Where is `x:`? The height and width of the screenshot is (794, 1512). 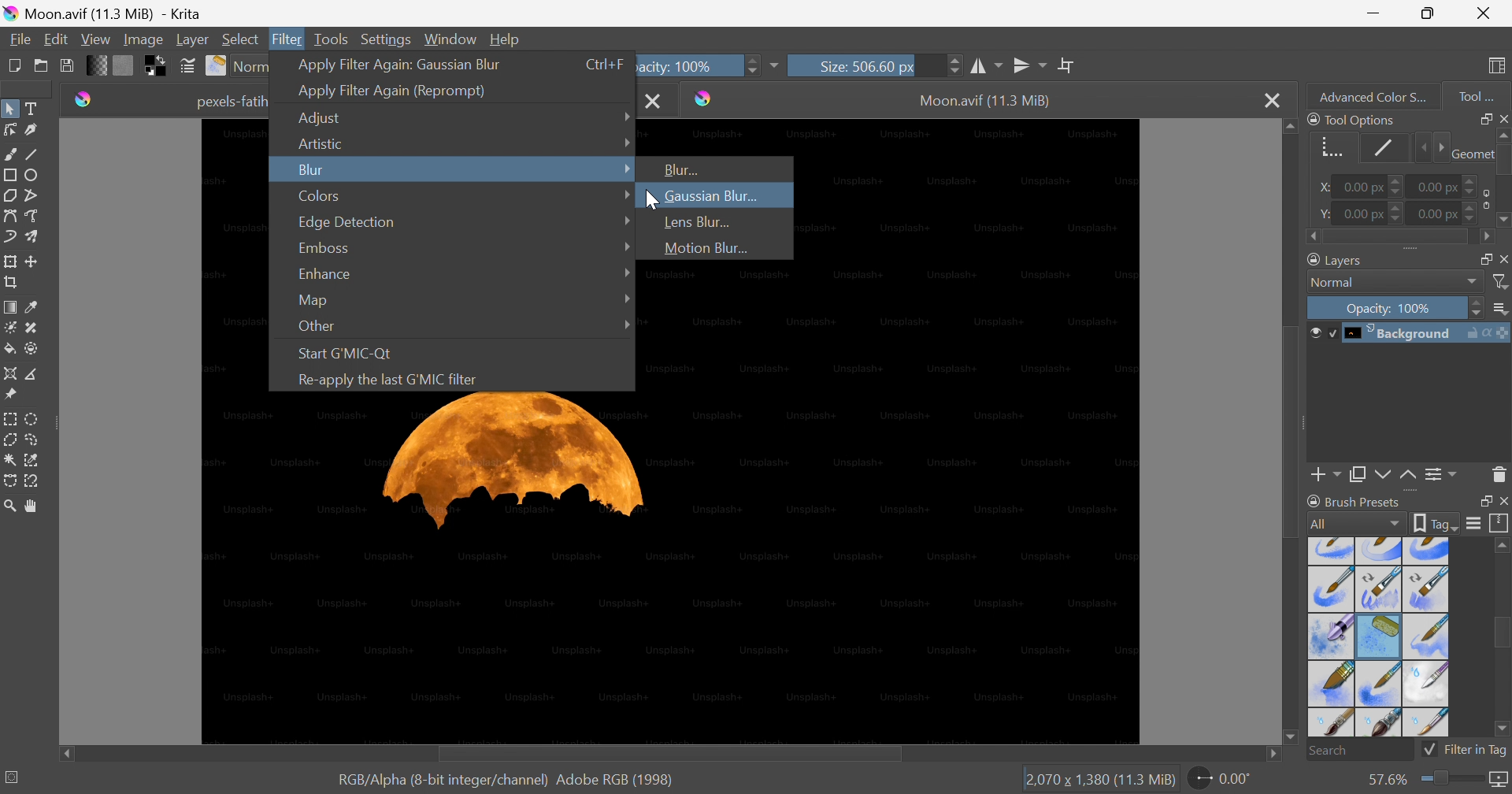
x: is located at coordinates (1325, 187).